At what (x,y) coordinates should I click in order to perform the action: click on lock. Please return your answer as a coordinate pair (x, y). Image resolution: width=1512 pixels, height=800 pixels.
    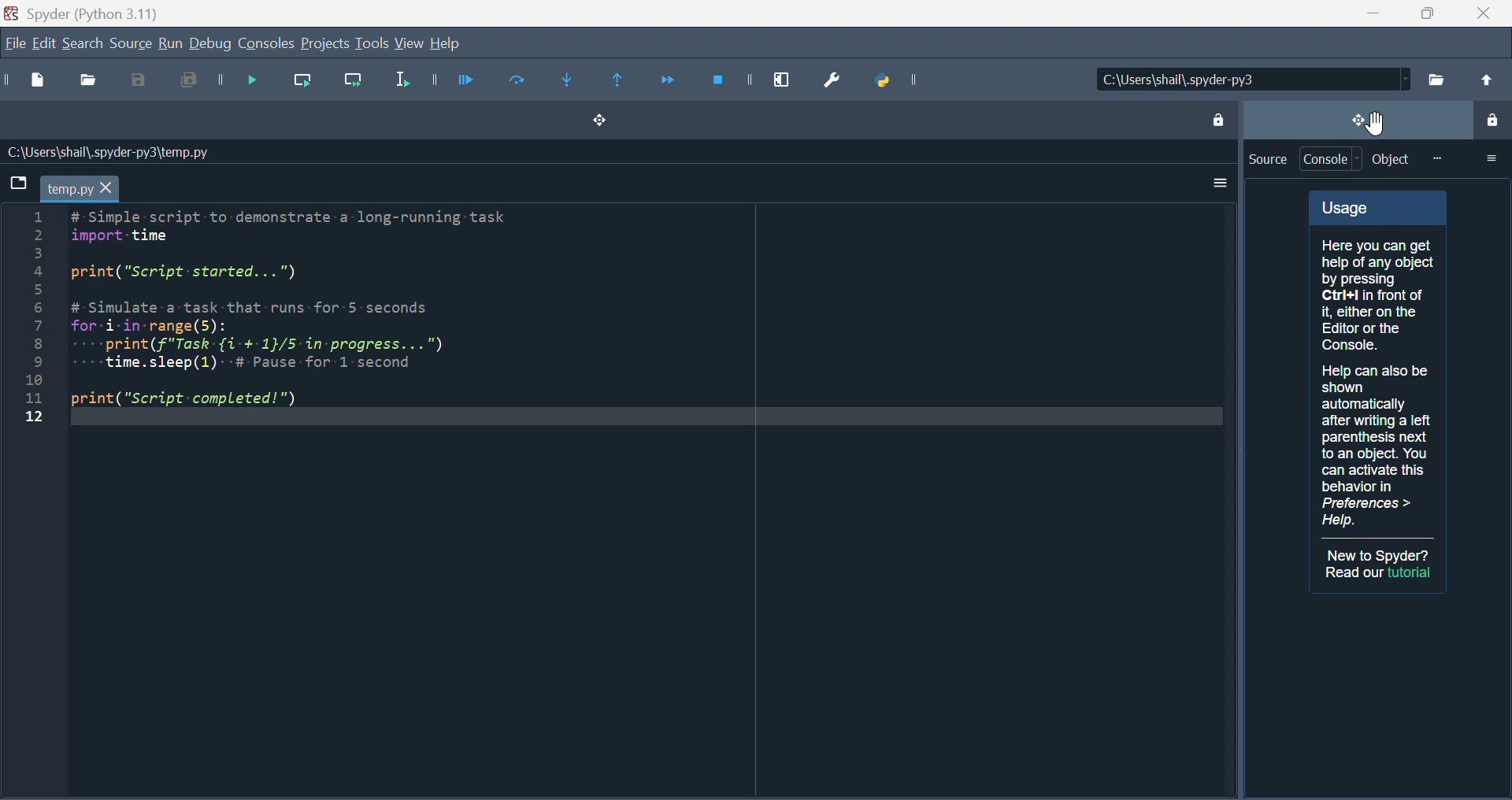
    Looking at the image, I should click on (1491, 122).